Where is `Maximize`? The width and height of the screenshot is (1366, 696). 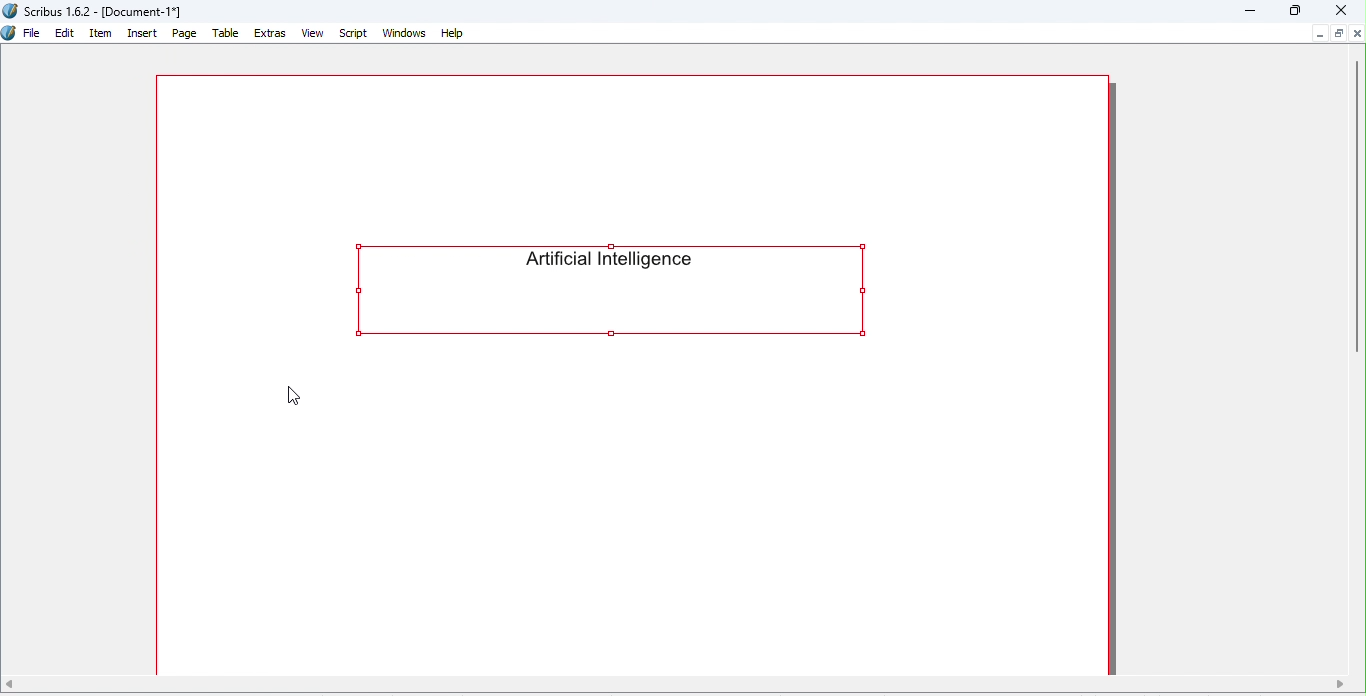
Maximize is located at coordinates (1339, 34).